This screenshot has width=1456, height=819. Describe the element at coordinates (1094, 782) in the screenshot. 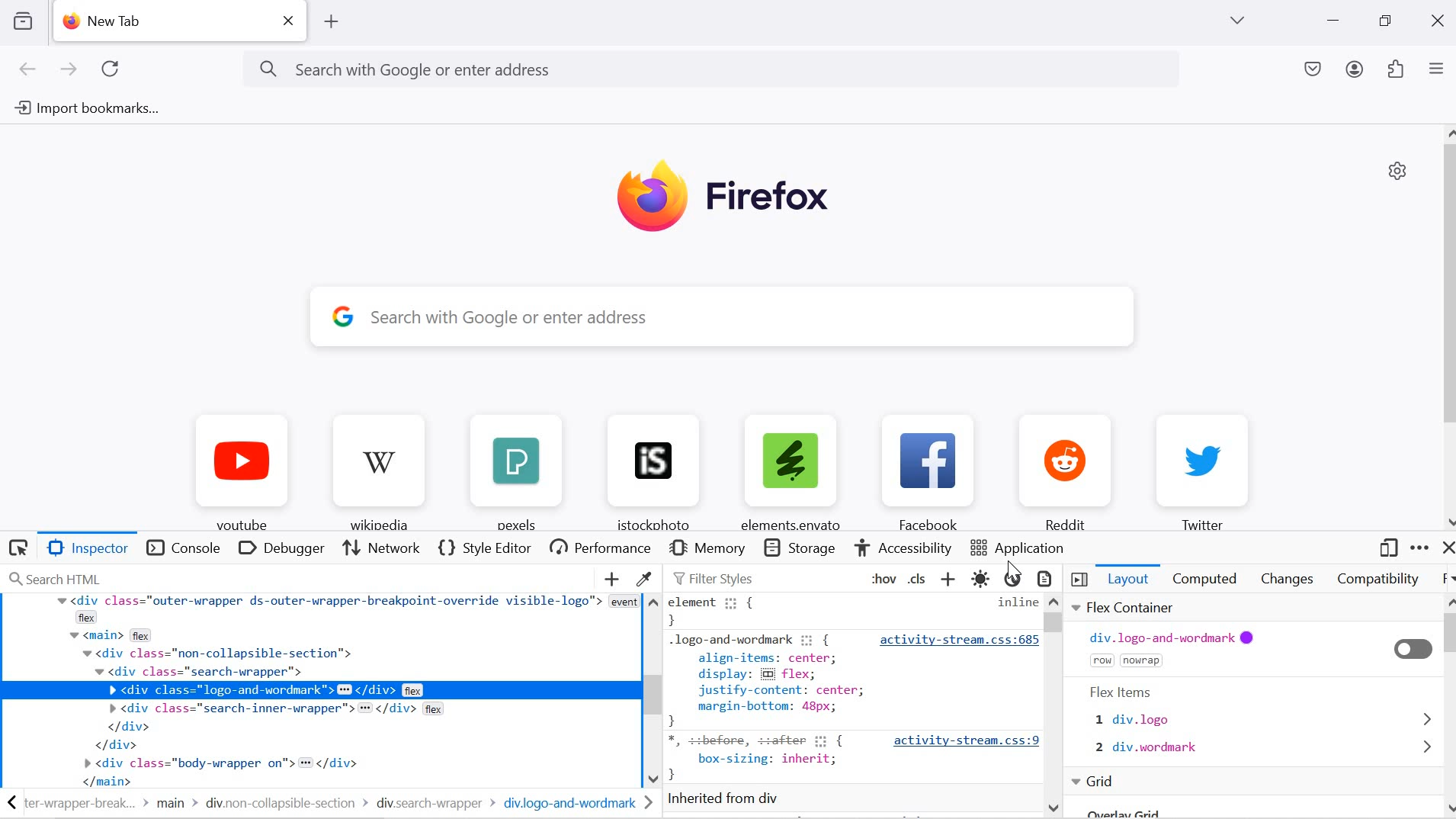

I see ` Grid` at that location.